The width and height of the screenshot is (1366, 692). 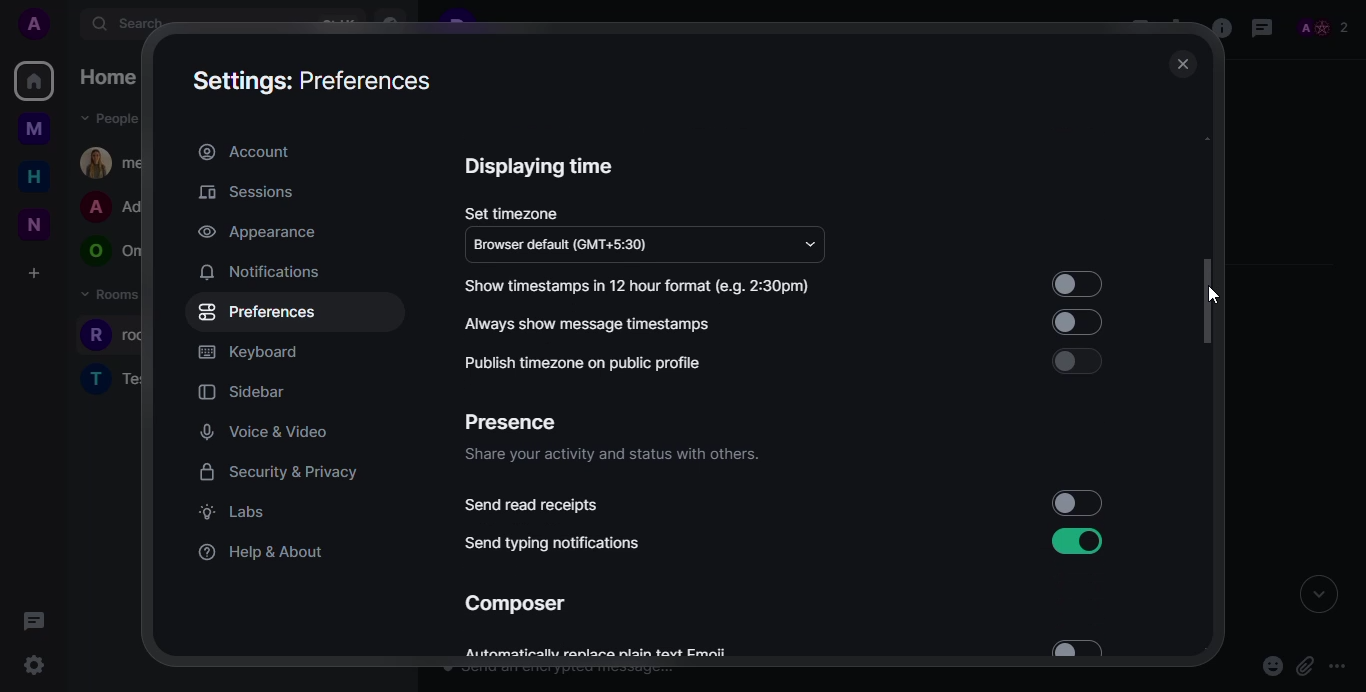 What do you see at coordinates (1078, 361) in the screenshot?
I see `Toggle button` at bounding box center [1078, 361].